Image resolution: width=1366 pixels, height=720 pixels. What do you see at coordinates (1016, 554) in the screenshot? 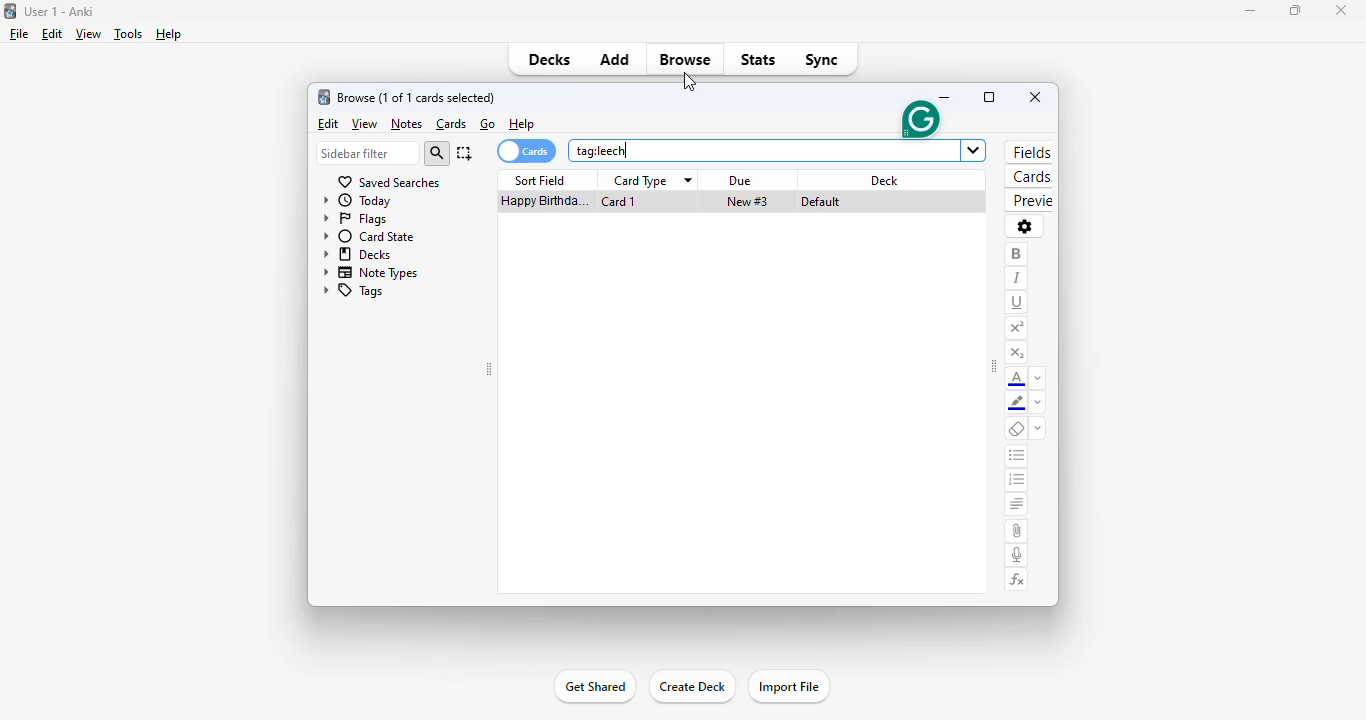
I see `record audio` at bounding box center [1016, 554].